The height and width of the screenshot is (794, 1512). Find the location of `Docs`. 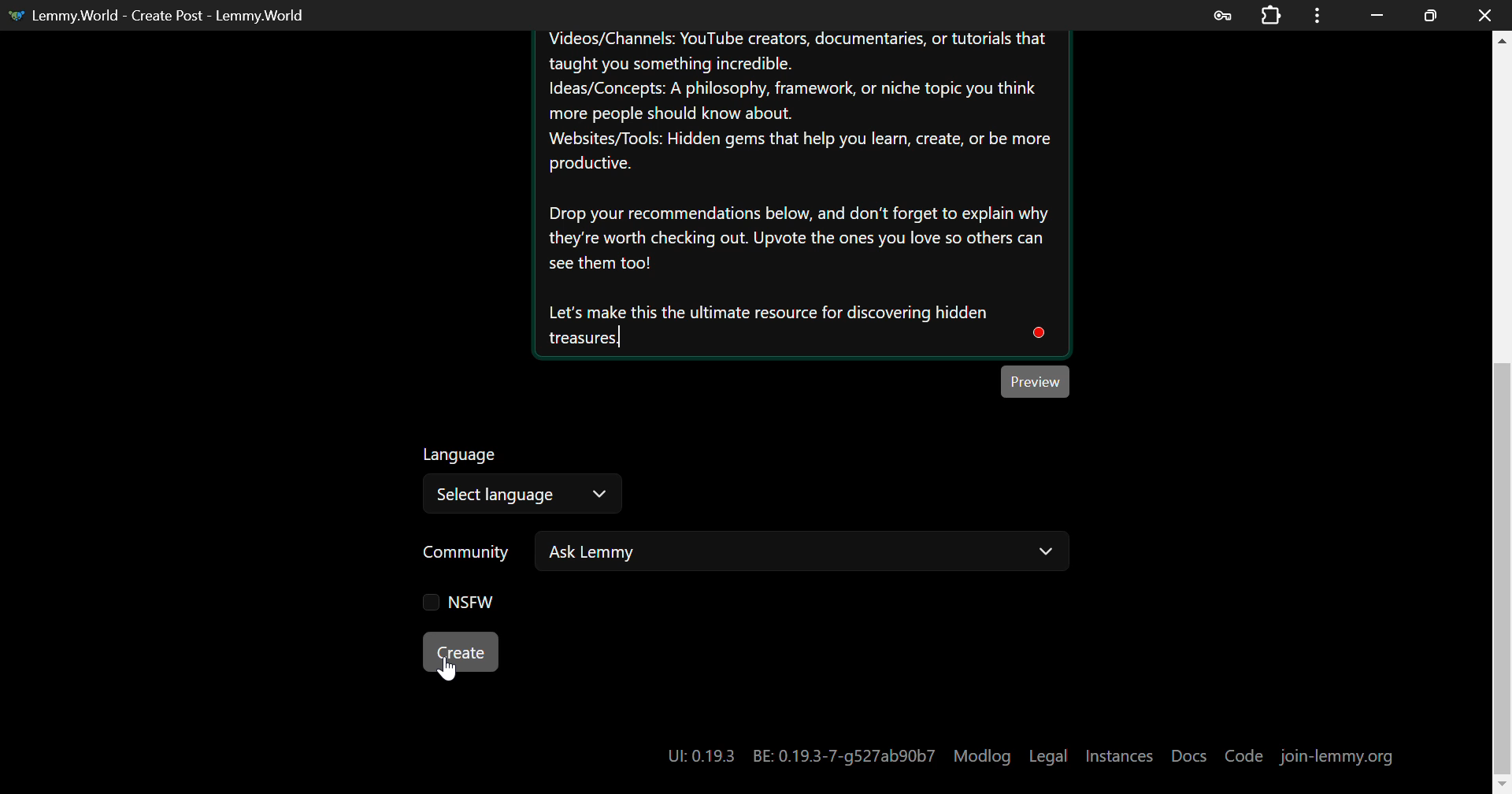

Docs is located at coordinates (1190, 755).